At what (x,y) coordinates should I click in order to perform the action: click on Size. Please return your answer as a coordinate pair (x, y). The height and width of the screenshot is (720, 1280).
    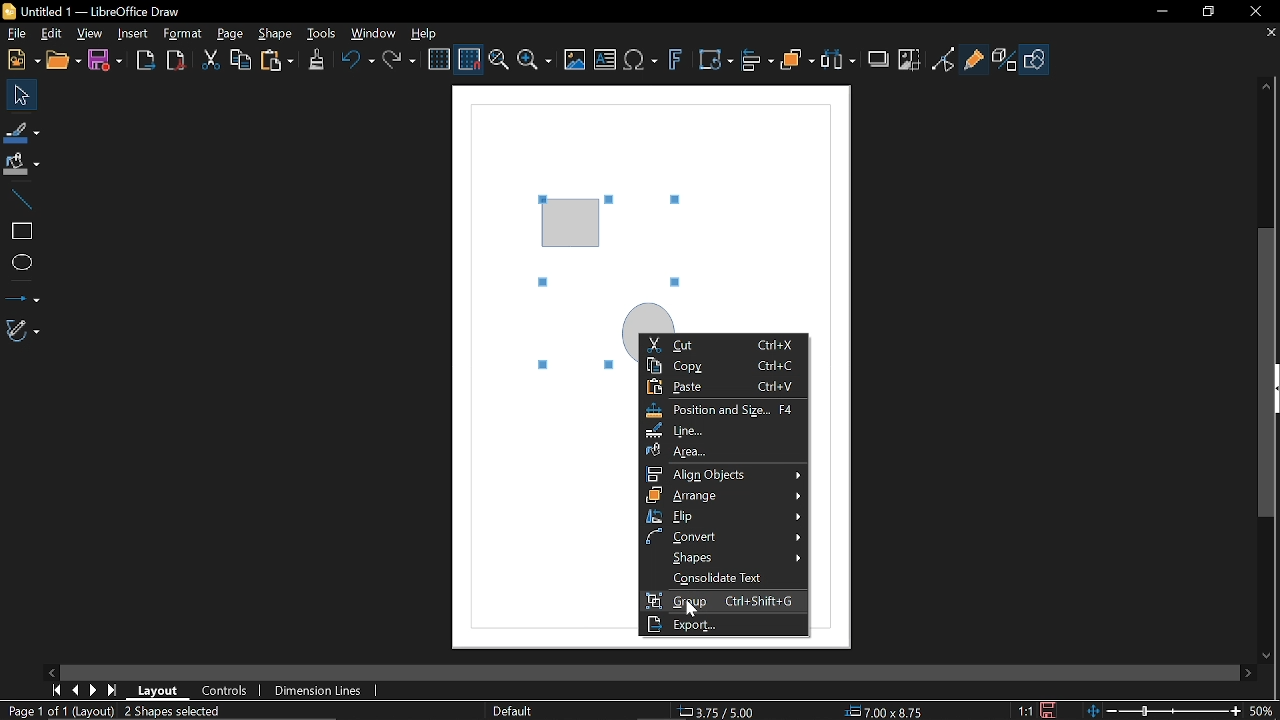
    Looking at the image, I should click on (891, 712).